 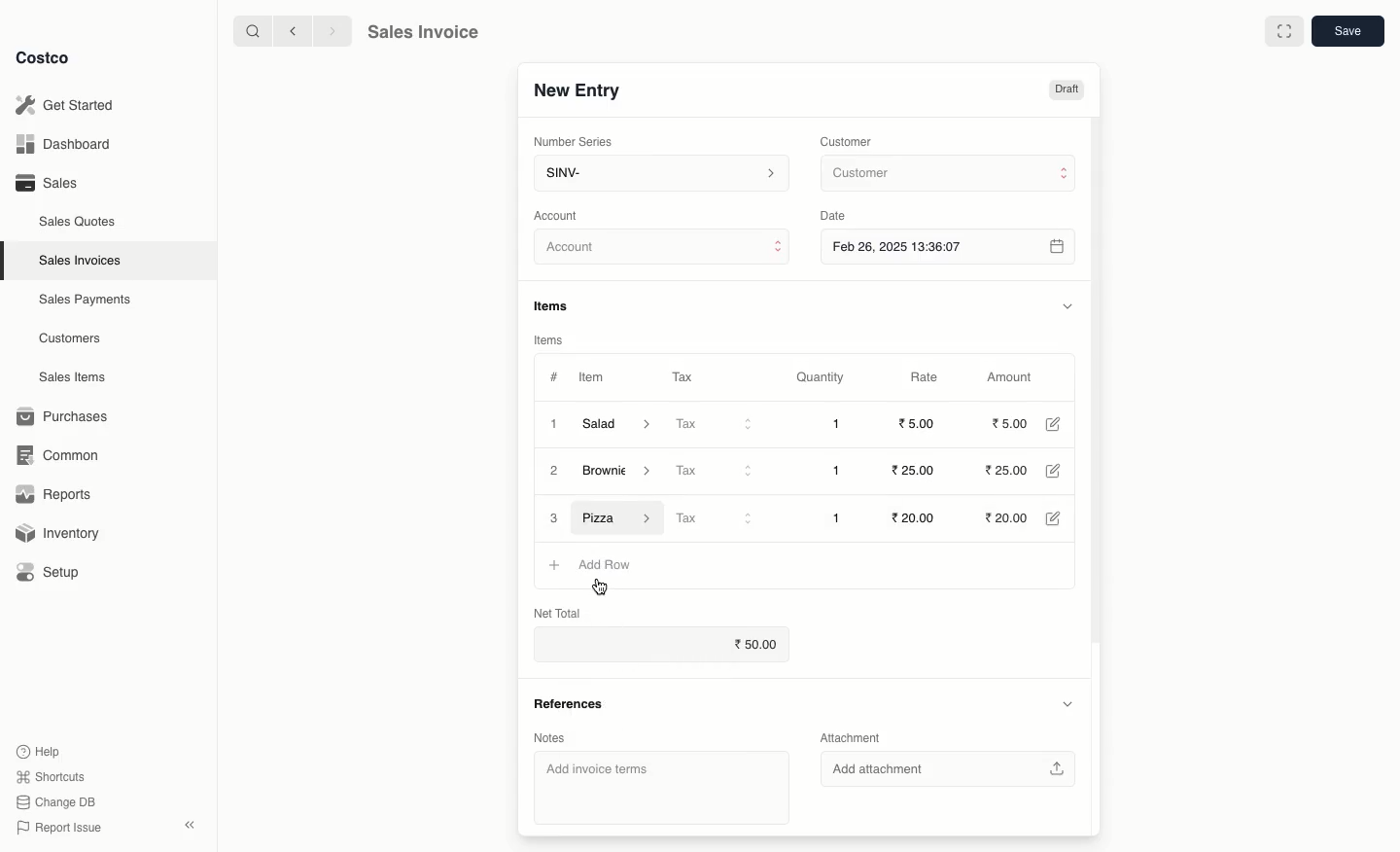 I want to click on Purchases, so click(x=67, y=416).